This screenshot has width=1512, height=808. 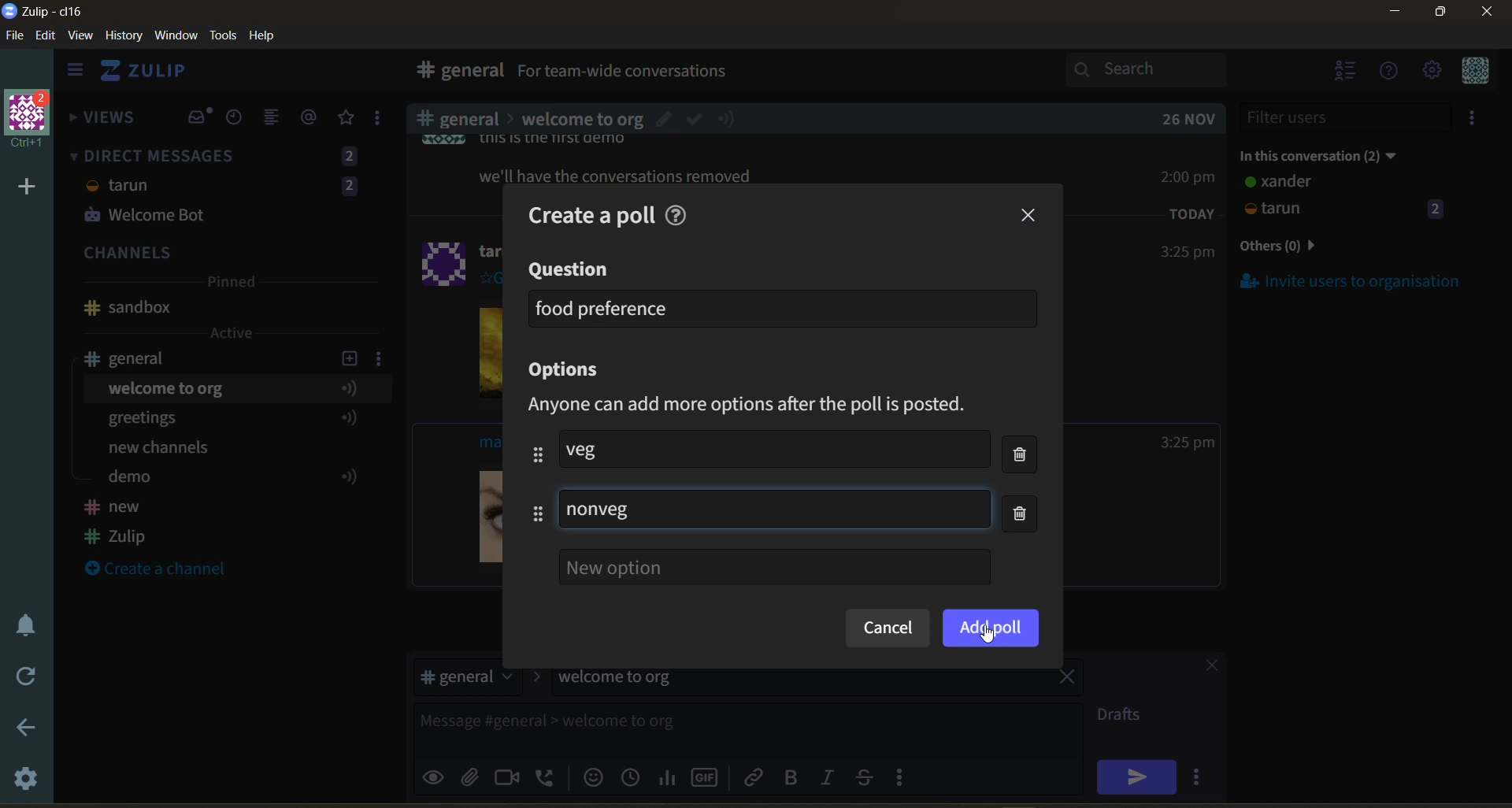 What do you see at coordinates (790, 778) in the screenshot?
I see `bold` at bounding box center [790, 778].